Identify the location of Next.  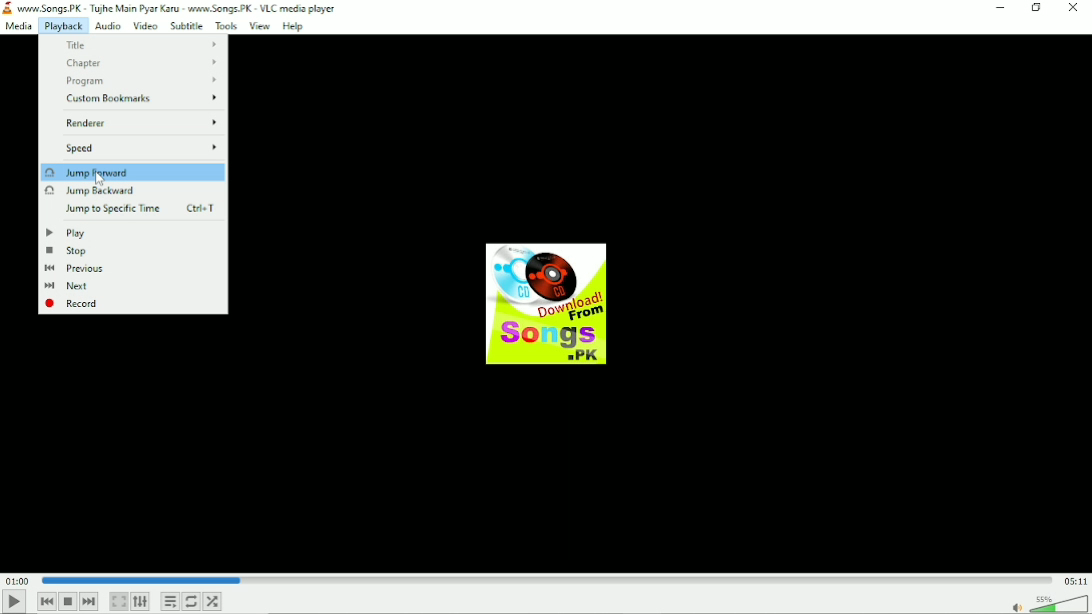
(67, 285).